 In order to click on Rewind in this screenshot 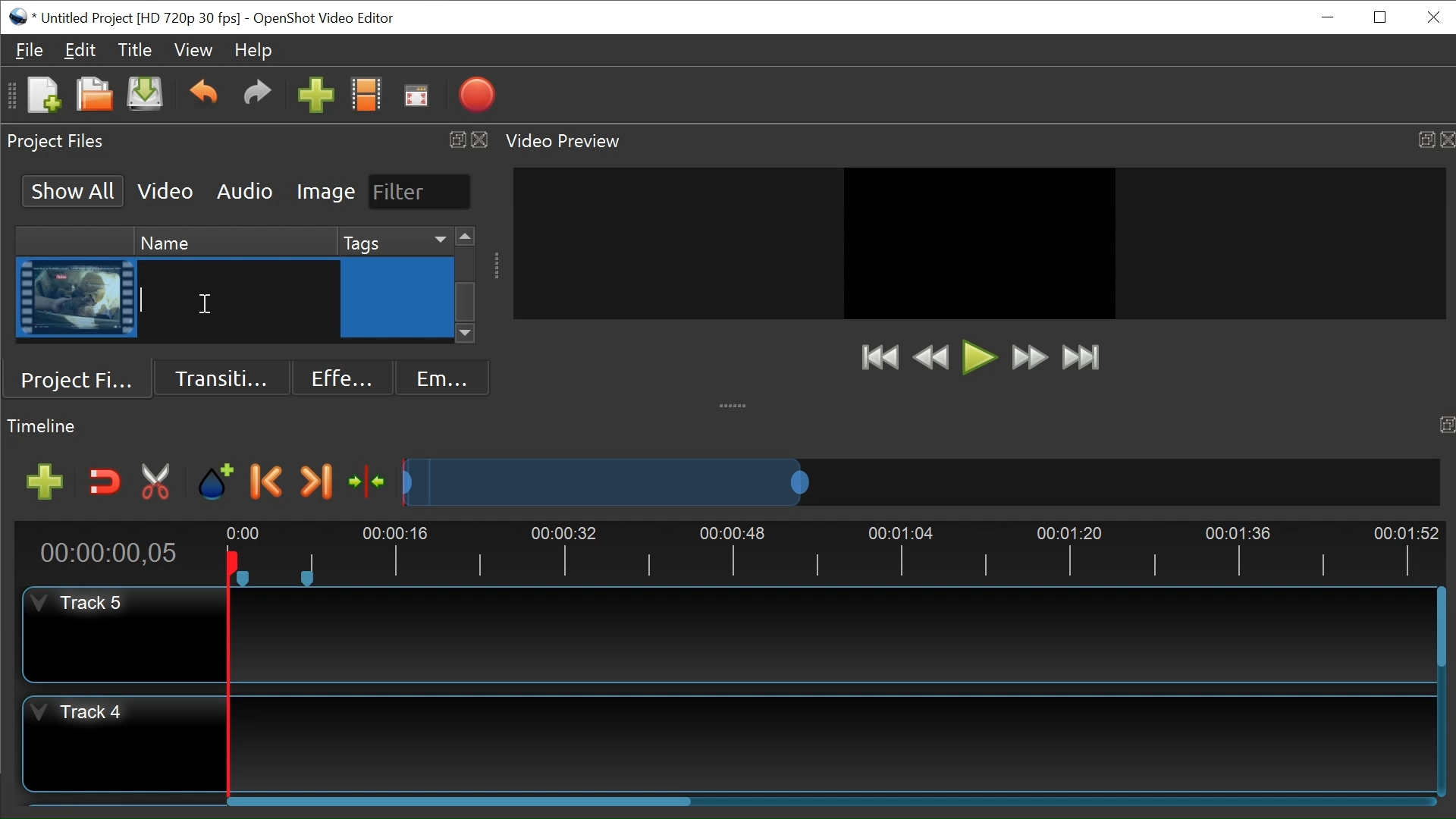, I will do `click(930, 357)`.